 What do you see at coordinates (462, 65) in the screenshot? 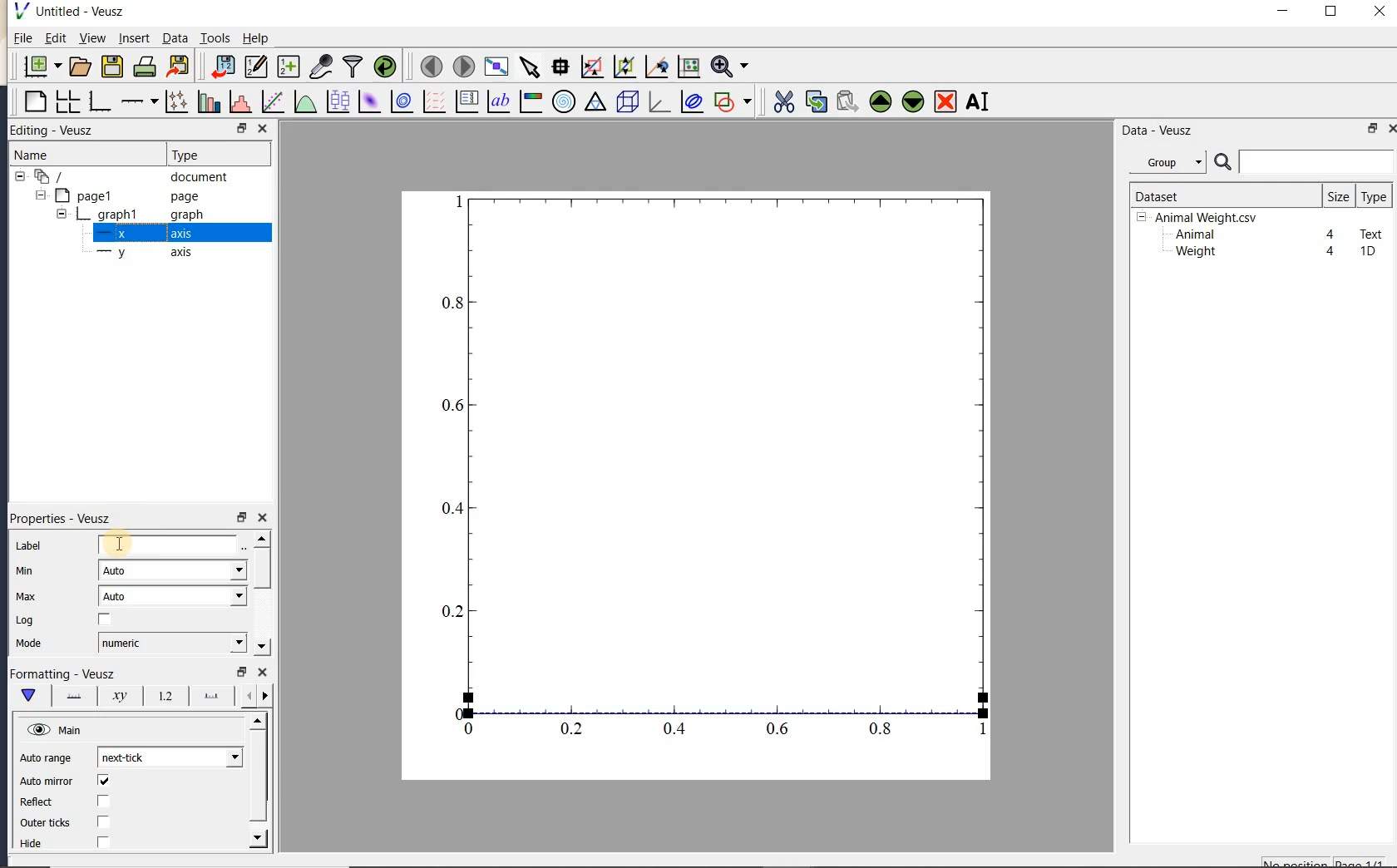
I see `move to the next page` at bounding box center [462, 65].